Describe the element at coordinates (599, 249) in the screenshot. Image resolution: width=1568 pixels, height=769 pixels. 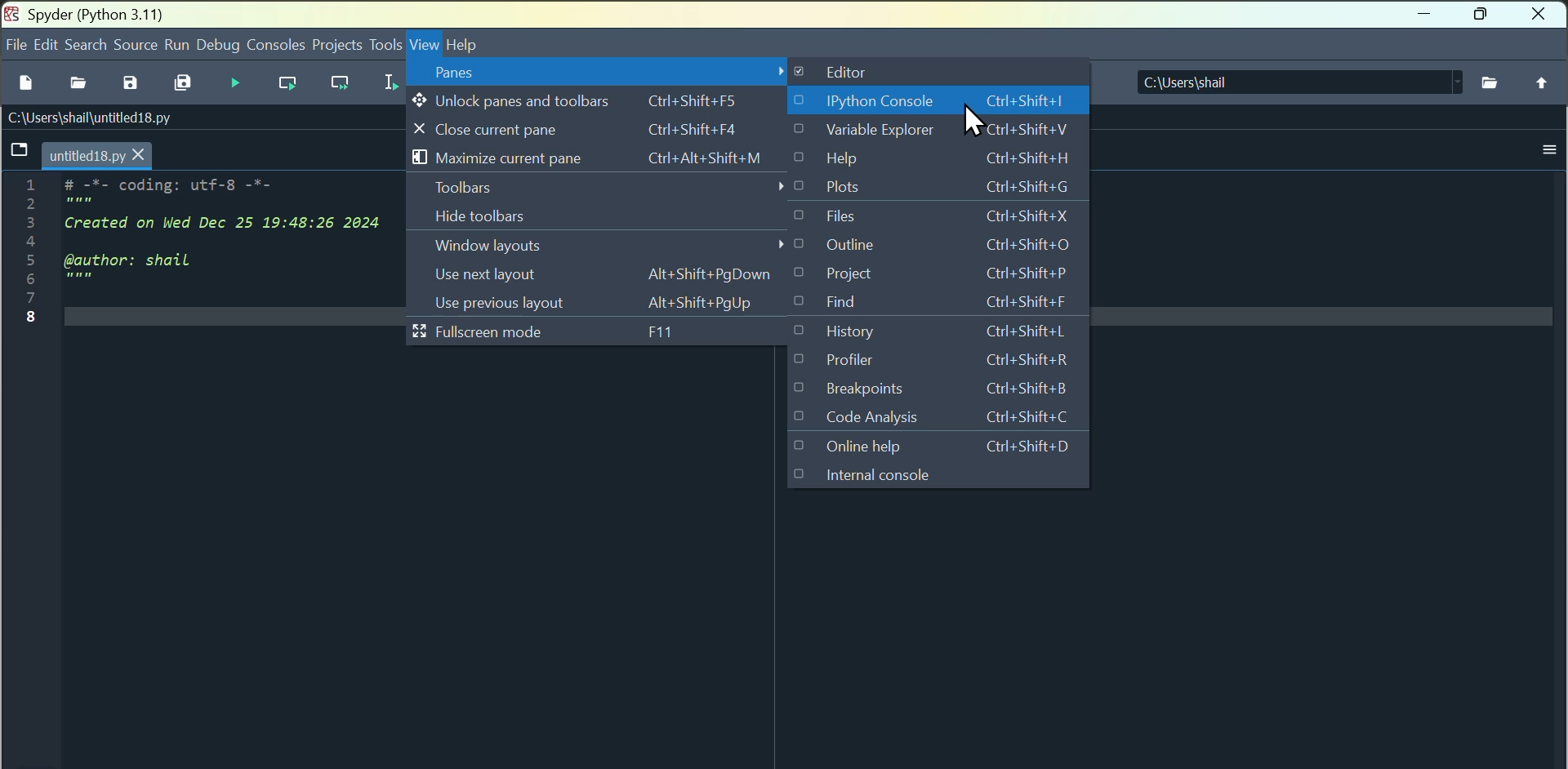
I see `Window layouts` at that location.